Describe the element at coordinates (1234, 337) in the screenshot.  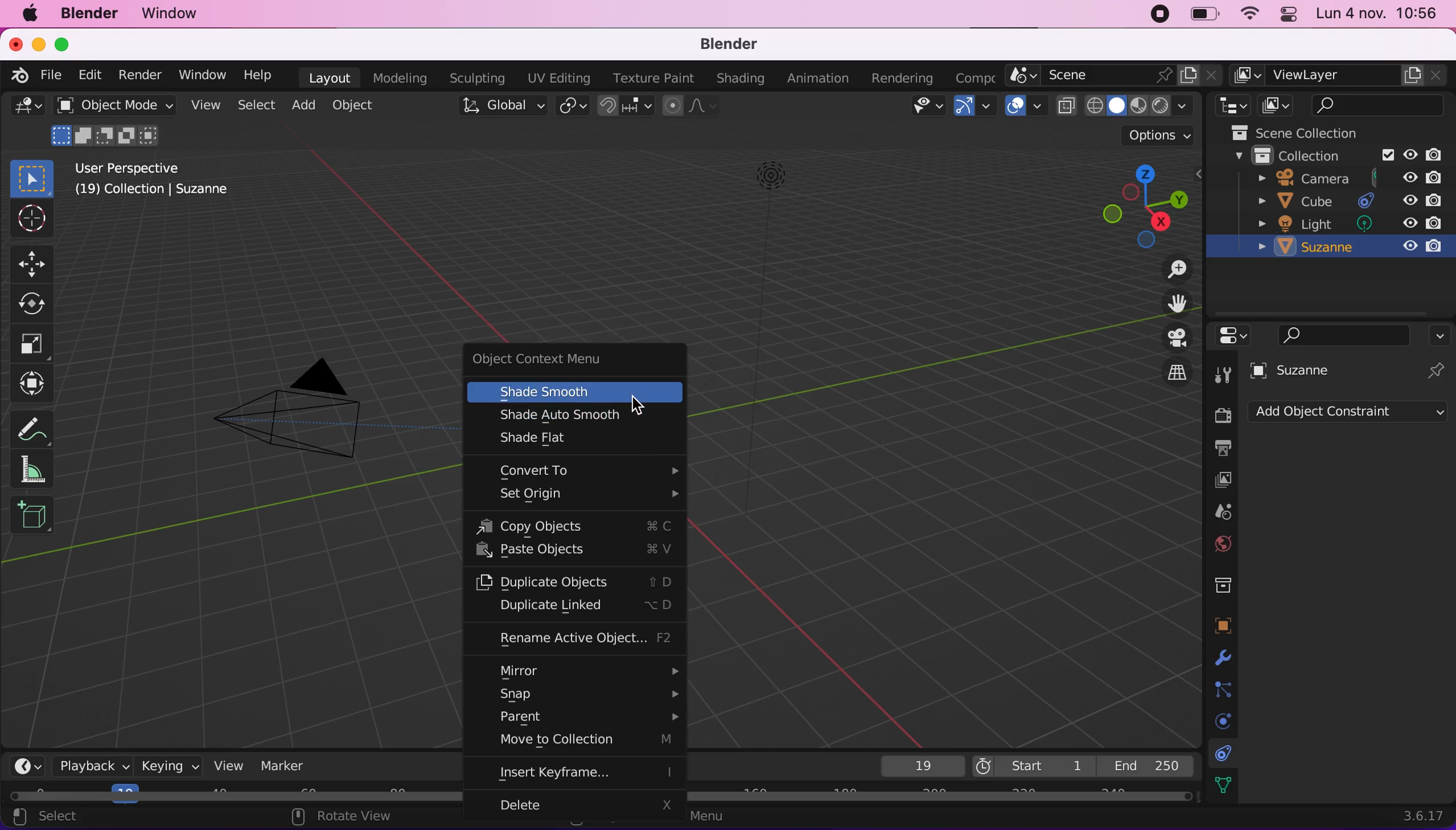
I see `editor type` at that location.